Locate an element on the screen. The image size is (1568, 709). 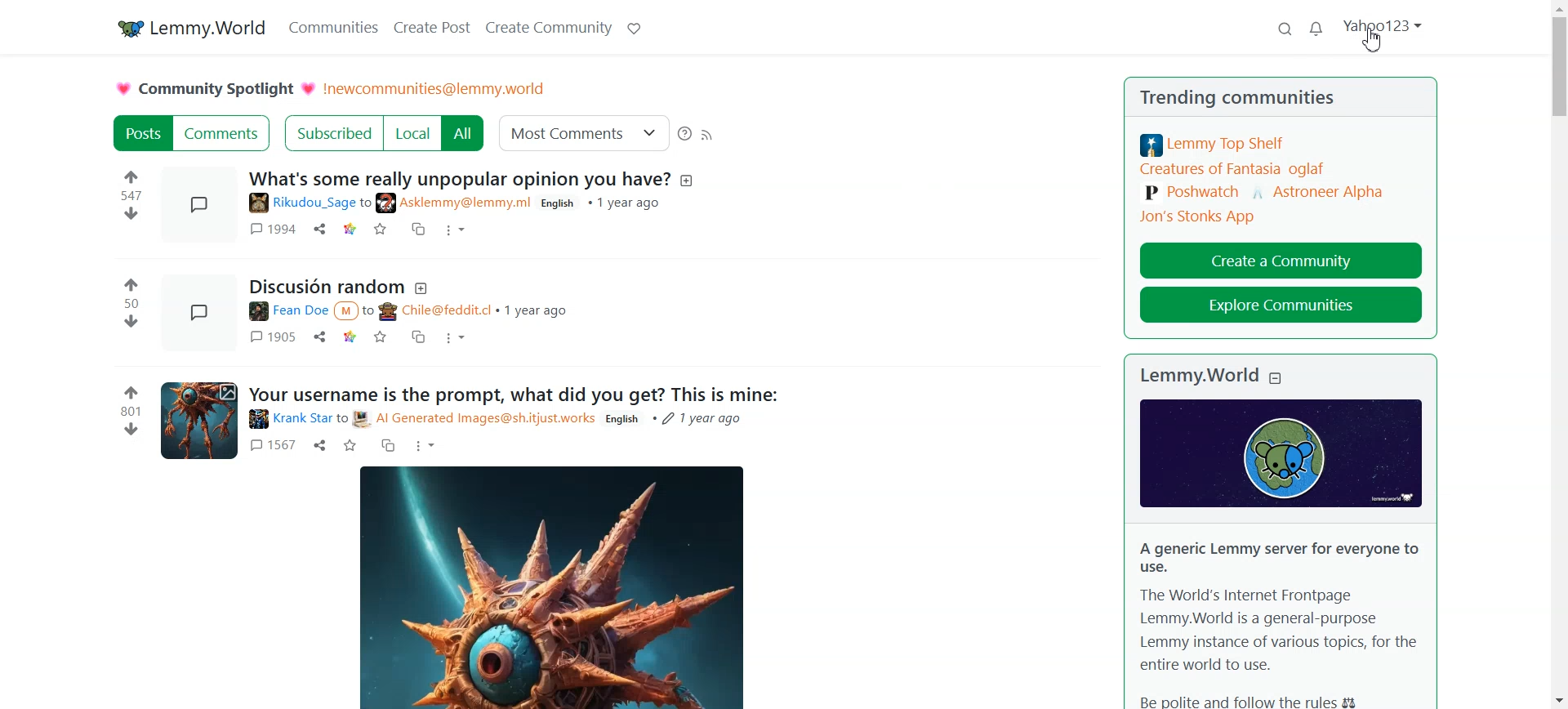
1994 comments is located at coordinates (269, 228).